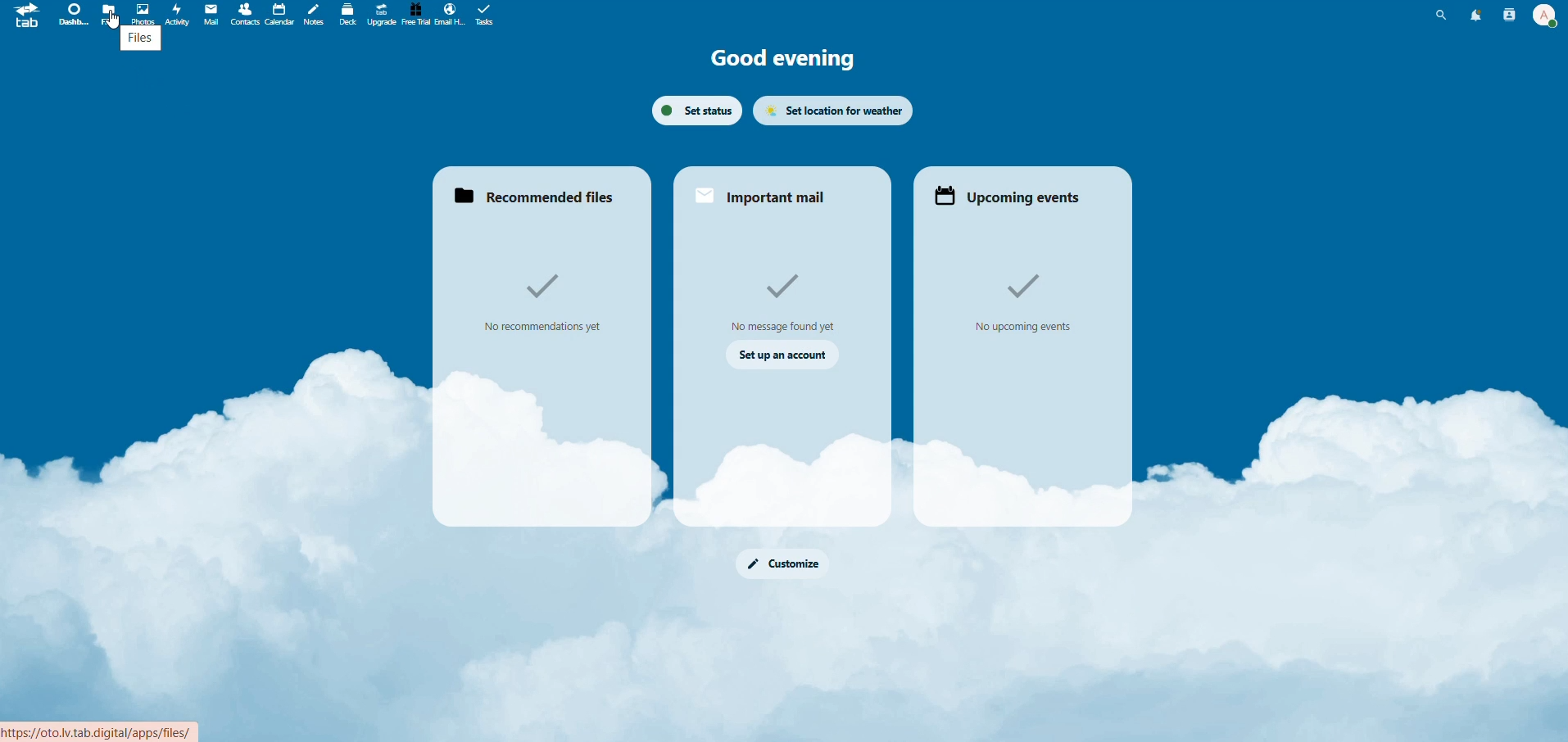  What do you see at coordinates (1473, 15) in the screenshot?
I see `Notification` at bounding box center [1473, 15].